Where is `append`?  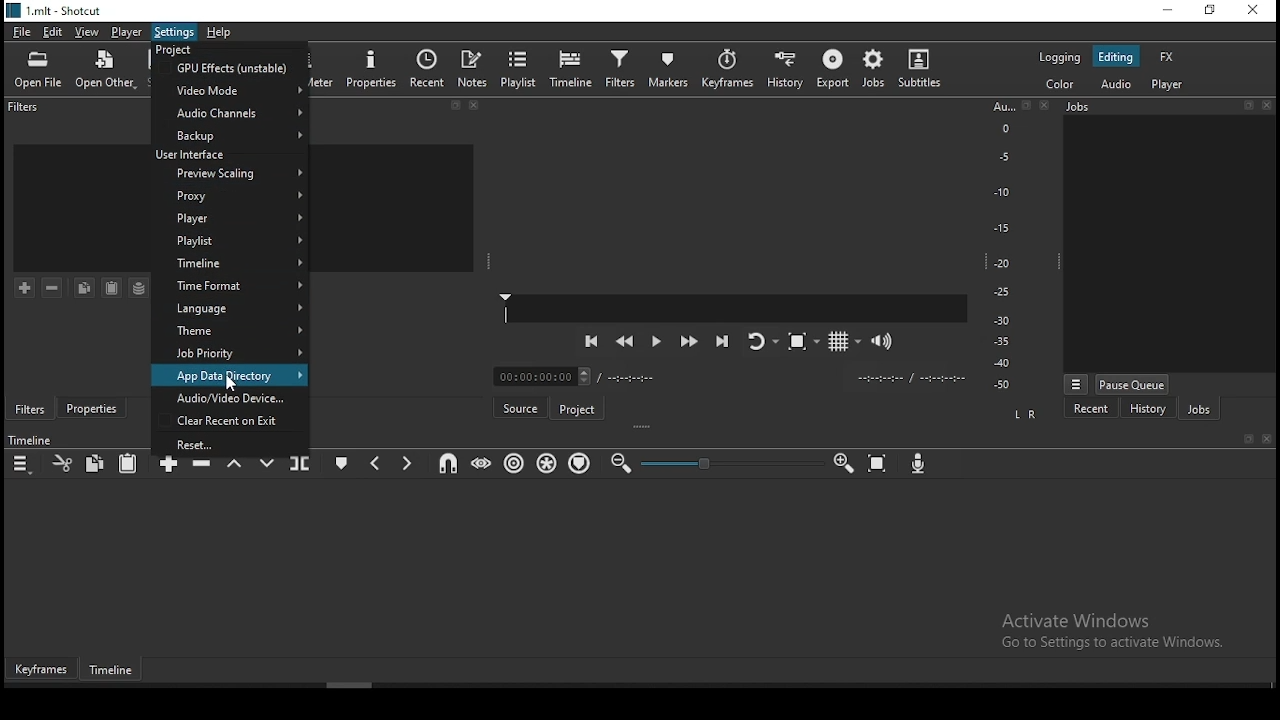
append is located at coordinates (165, 471).